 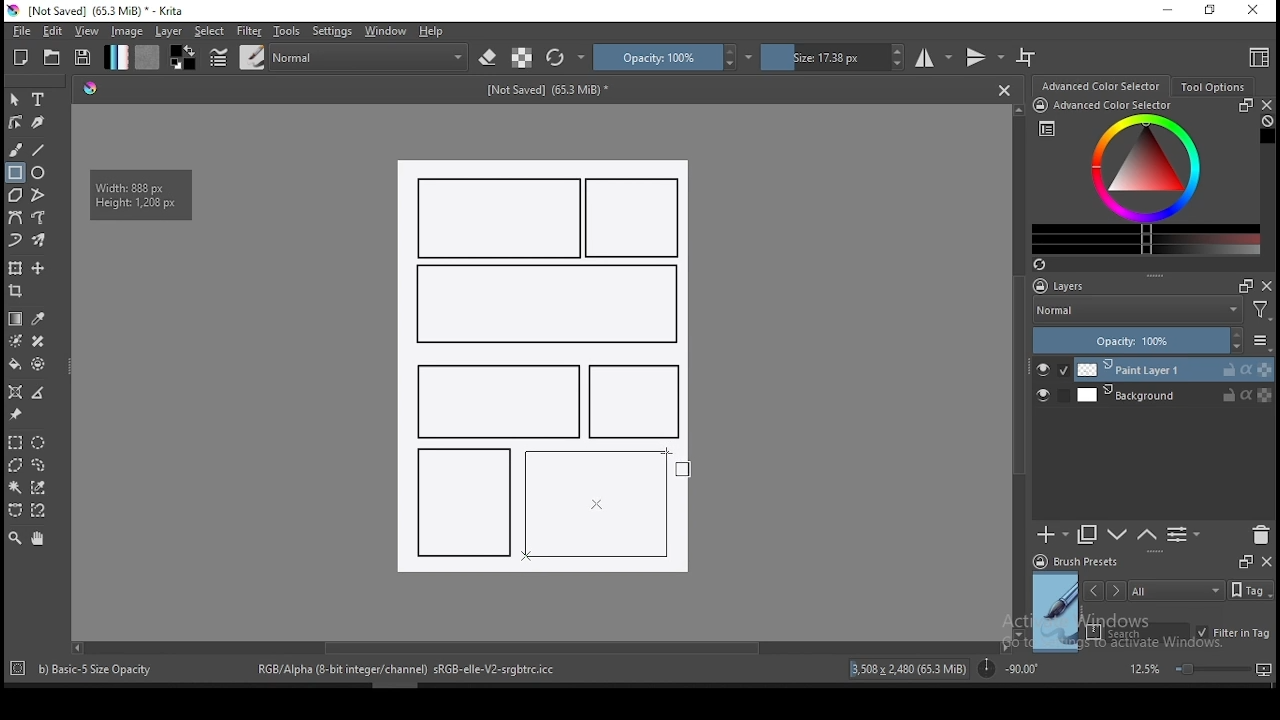 I want to click on scroll bar, so click(x=539, y=646).